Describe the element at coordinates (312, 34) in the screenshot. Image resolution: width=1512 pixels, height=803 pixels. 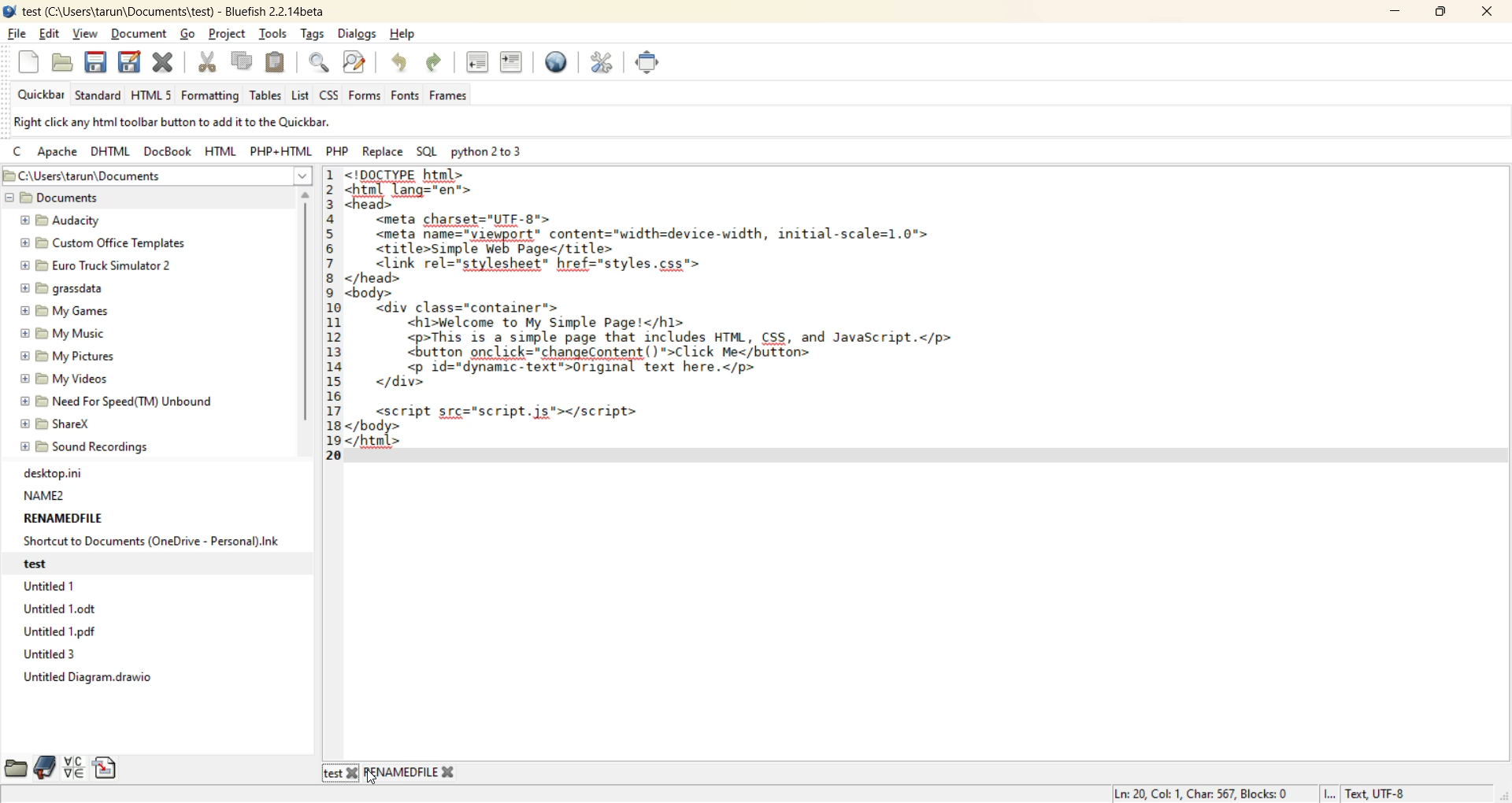
I see `tags` at that location.